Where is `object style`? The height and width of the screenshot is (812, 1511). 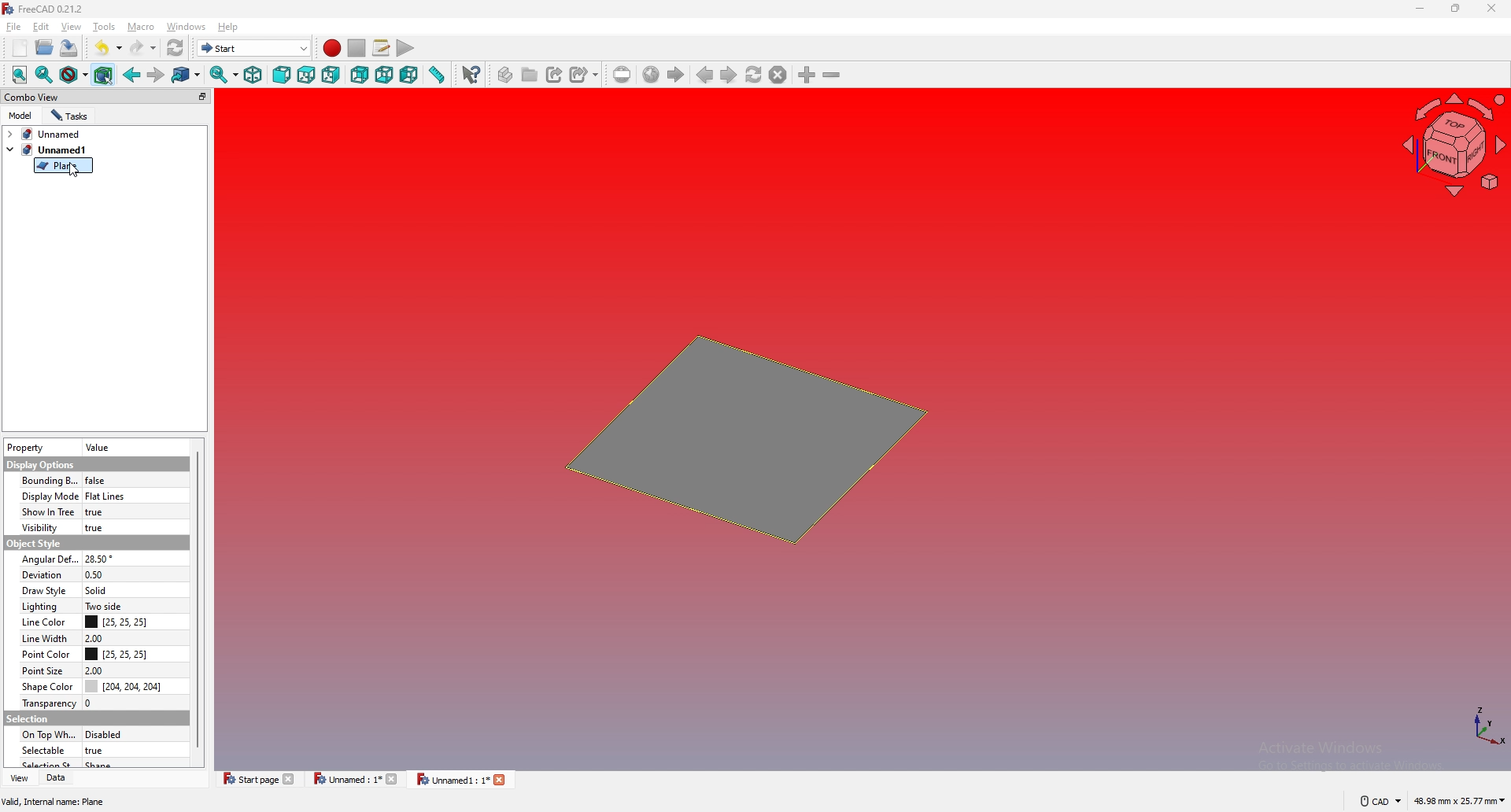 object style is located at coordinates (32, 543).